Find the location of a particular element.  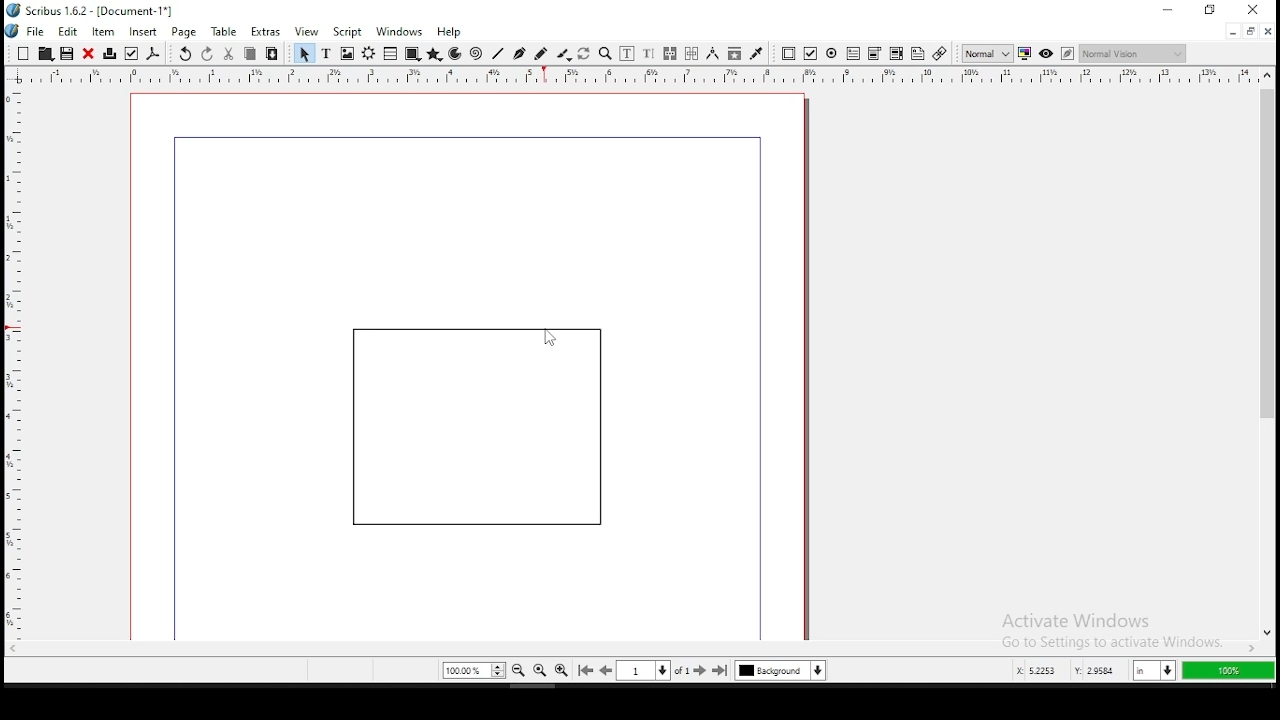

y: 2.9584 is located at coordinates (1094, 671).